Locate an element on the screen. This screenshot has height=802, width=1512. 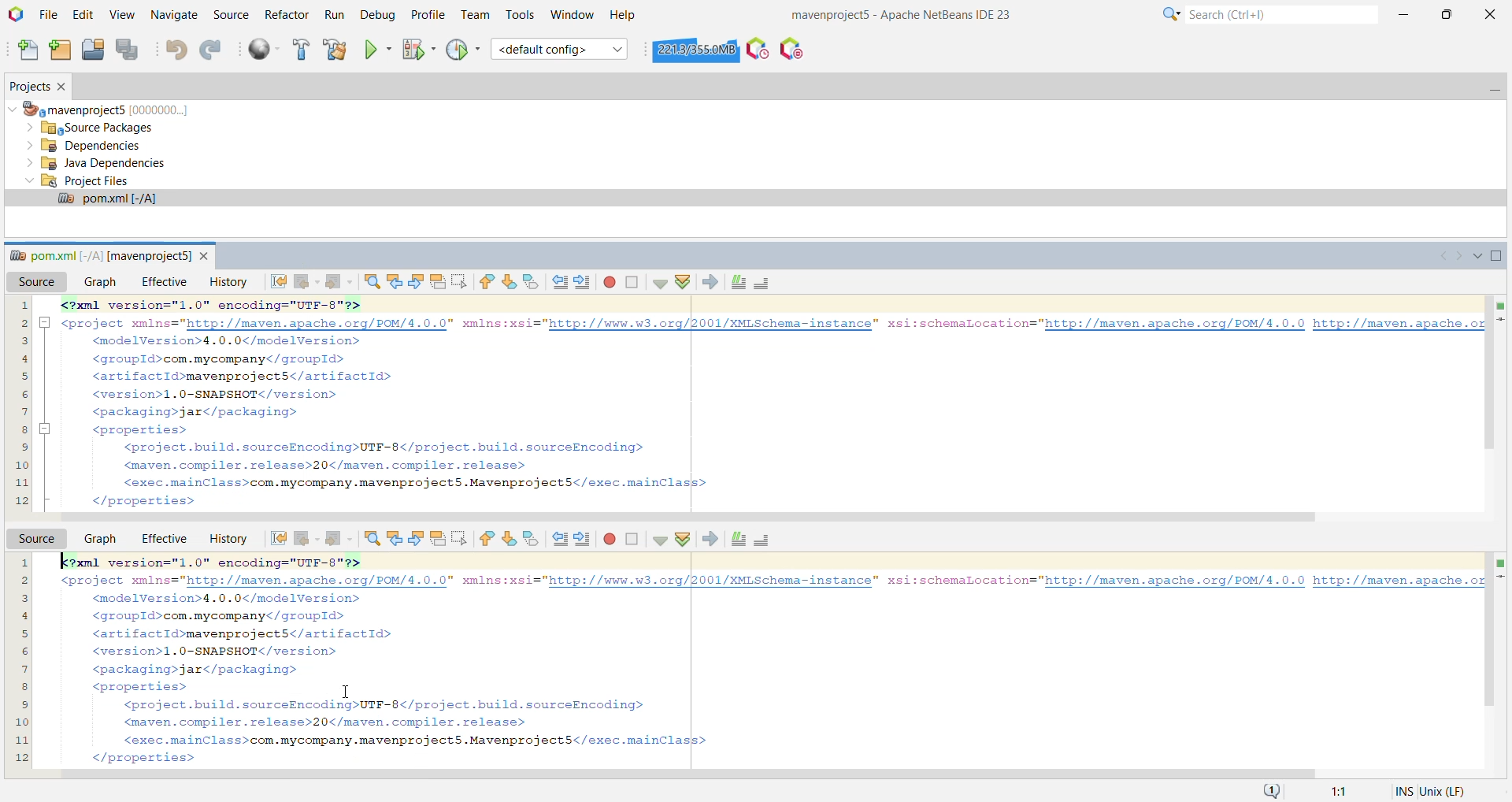
Profile Project is located at coordinates (463, 50).